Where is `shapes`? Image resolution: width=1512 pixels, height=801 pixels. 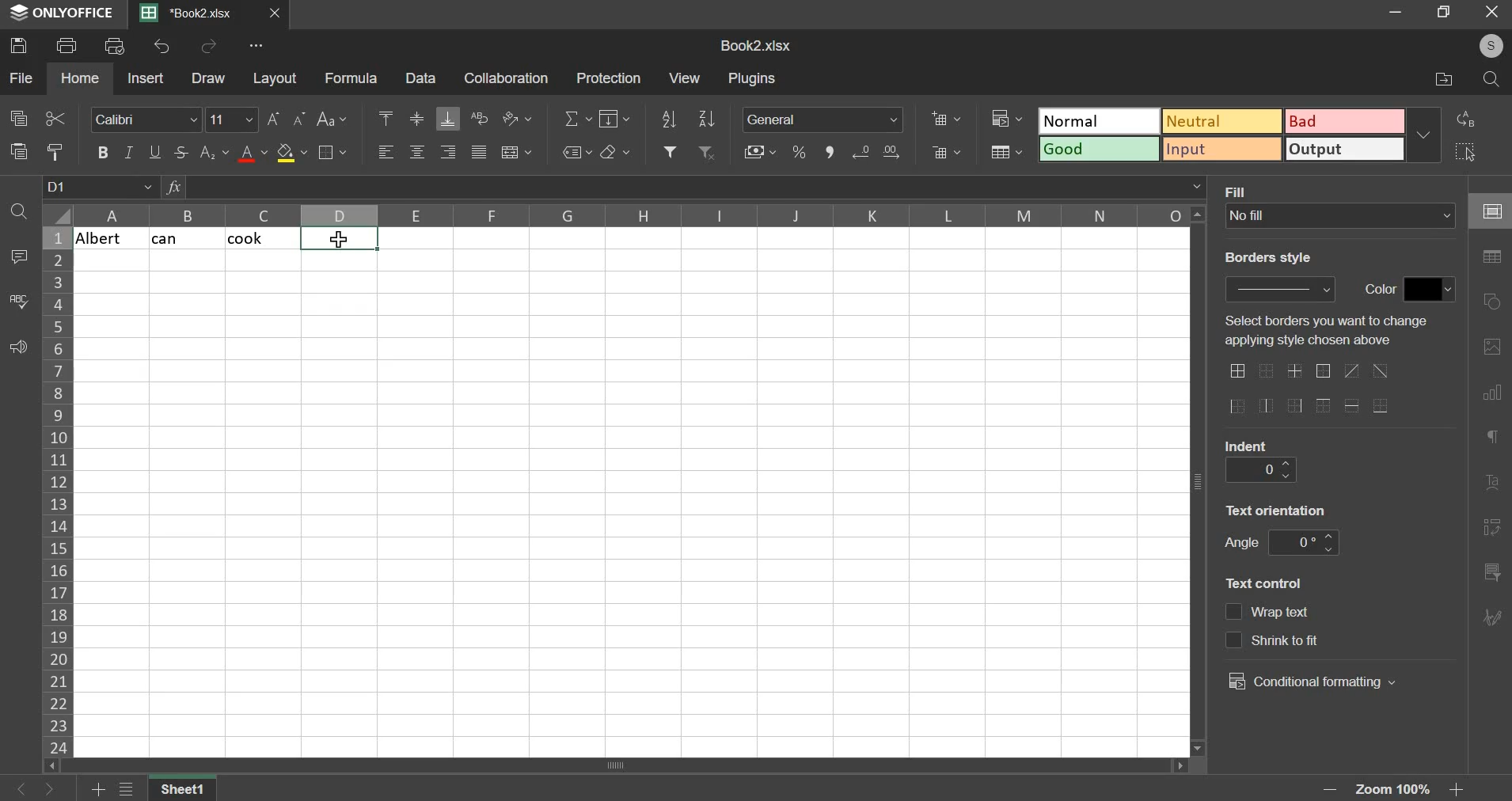 shapes is located at coordinates (1495, 302).